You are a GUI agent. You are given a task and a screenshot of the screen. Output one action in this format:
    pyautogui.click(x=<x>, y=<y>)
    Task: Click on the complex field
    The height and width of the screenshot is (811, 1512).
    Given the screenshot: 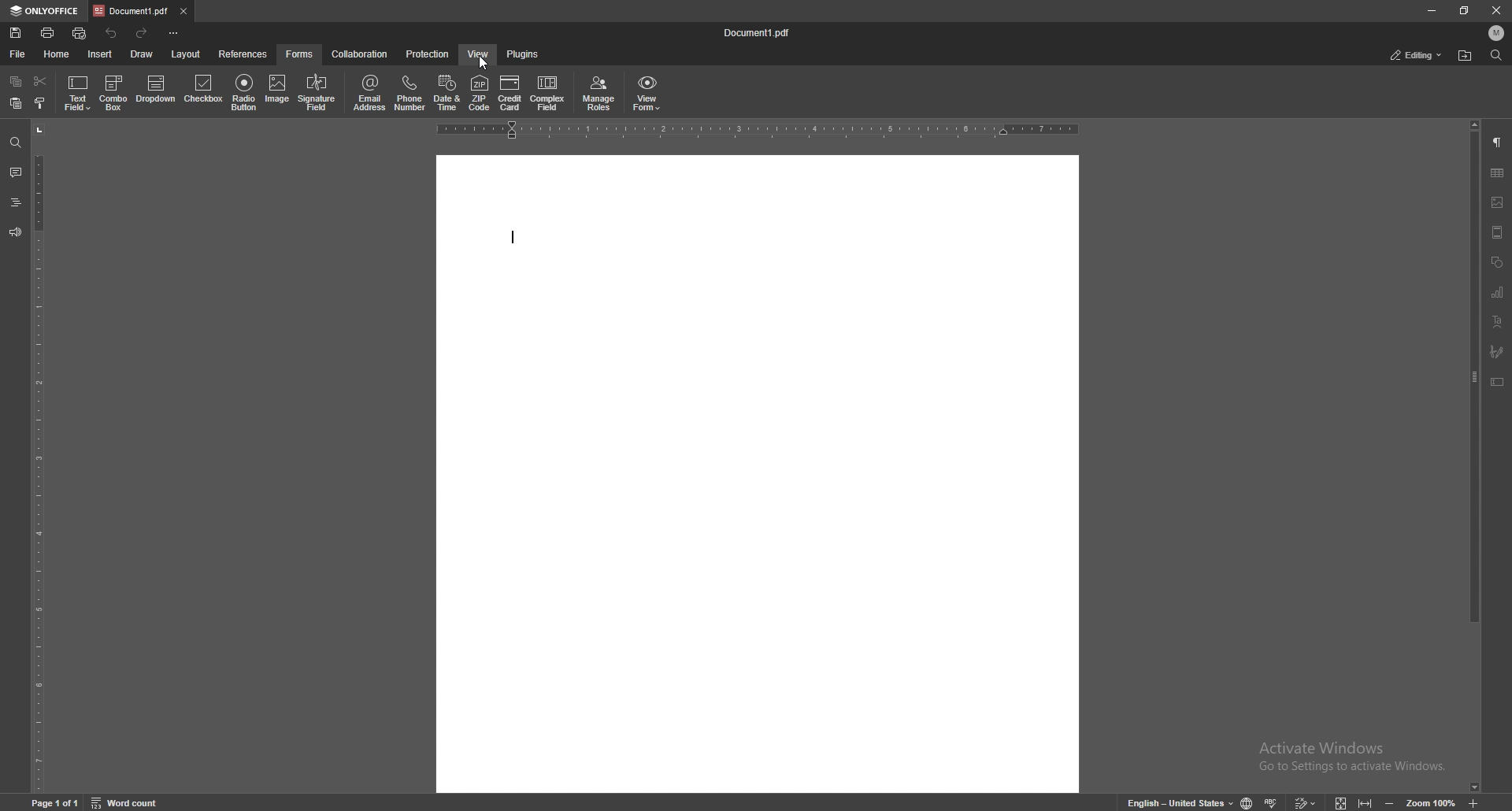 What is the action you would take?
    pyautogui.click(x=547, y=92)
    